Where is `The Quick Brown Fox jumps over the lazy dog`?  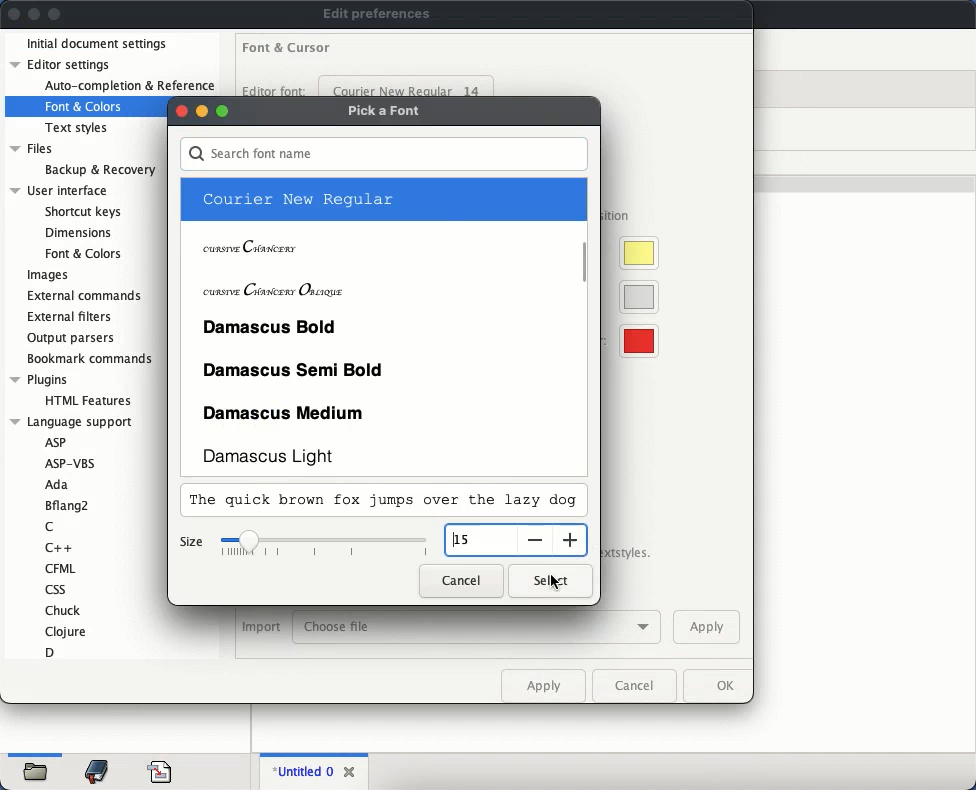
The Quick Brown Fox jumps over the lazy dog is located at coordinates (370, 501).